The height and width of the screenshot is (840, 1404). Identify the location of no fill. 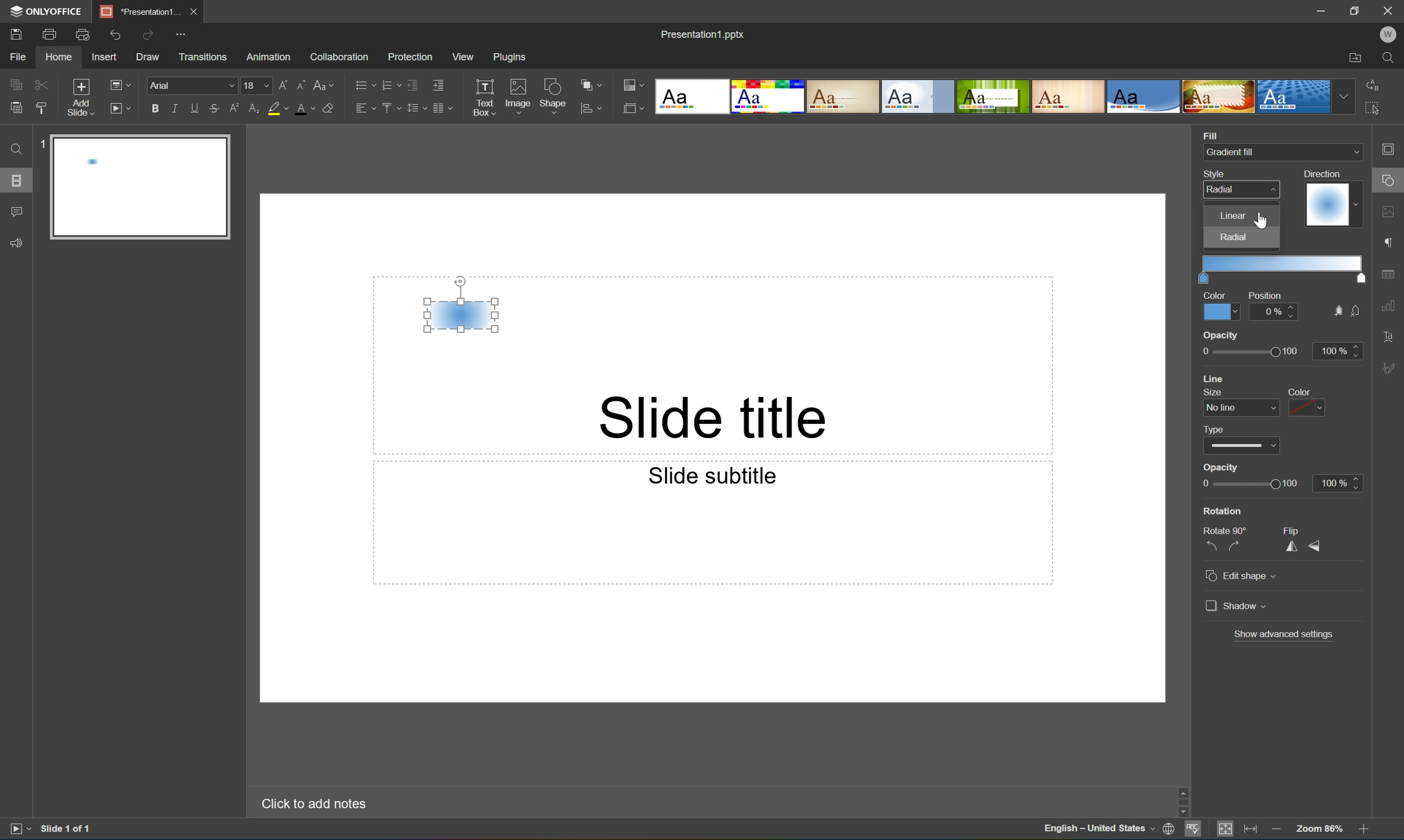
(1356, 311).